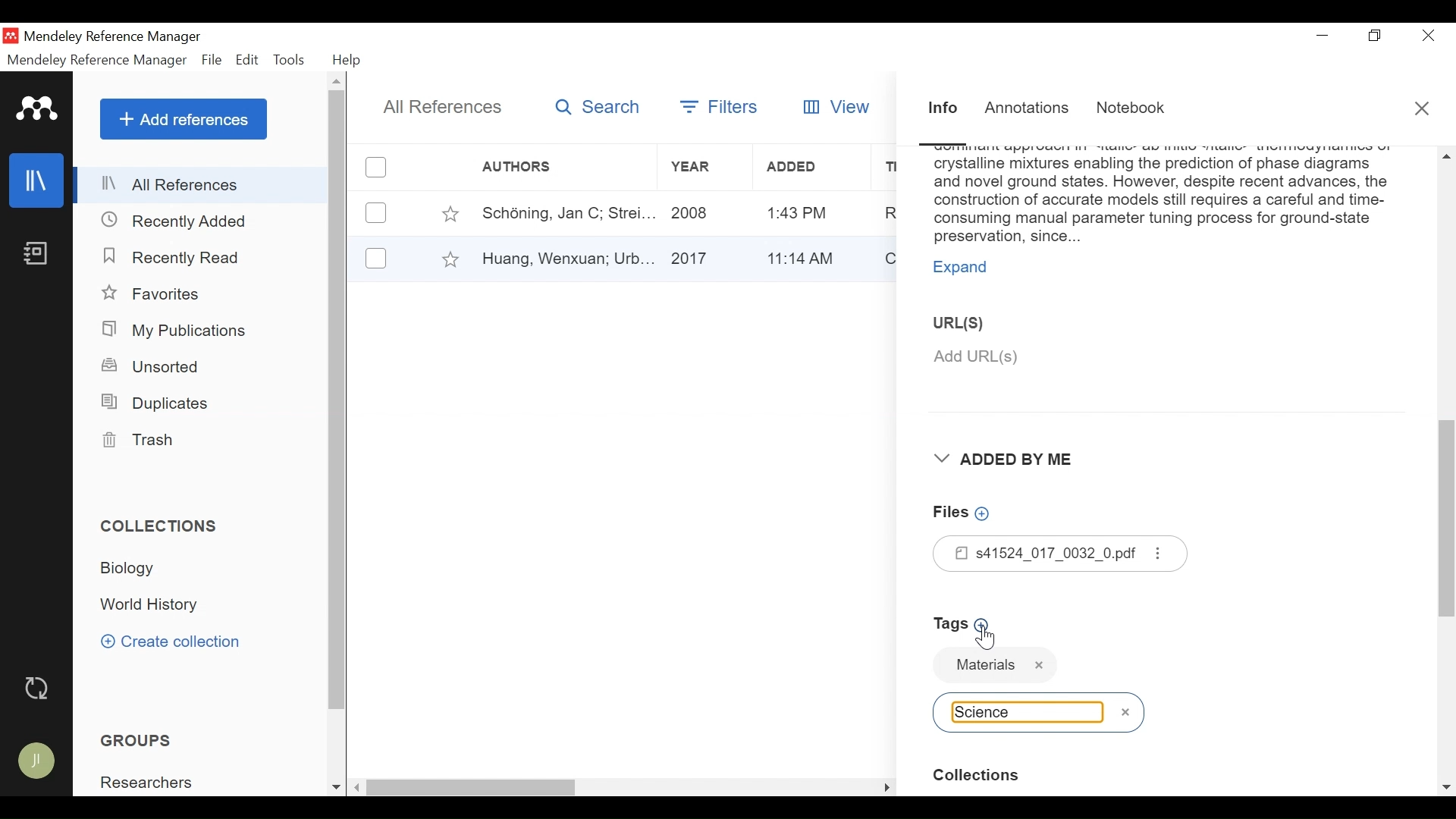  I want to click on Year, so click(703, 212).